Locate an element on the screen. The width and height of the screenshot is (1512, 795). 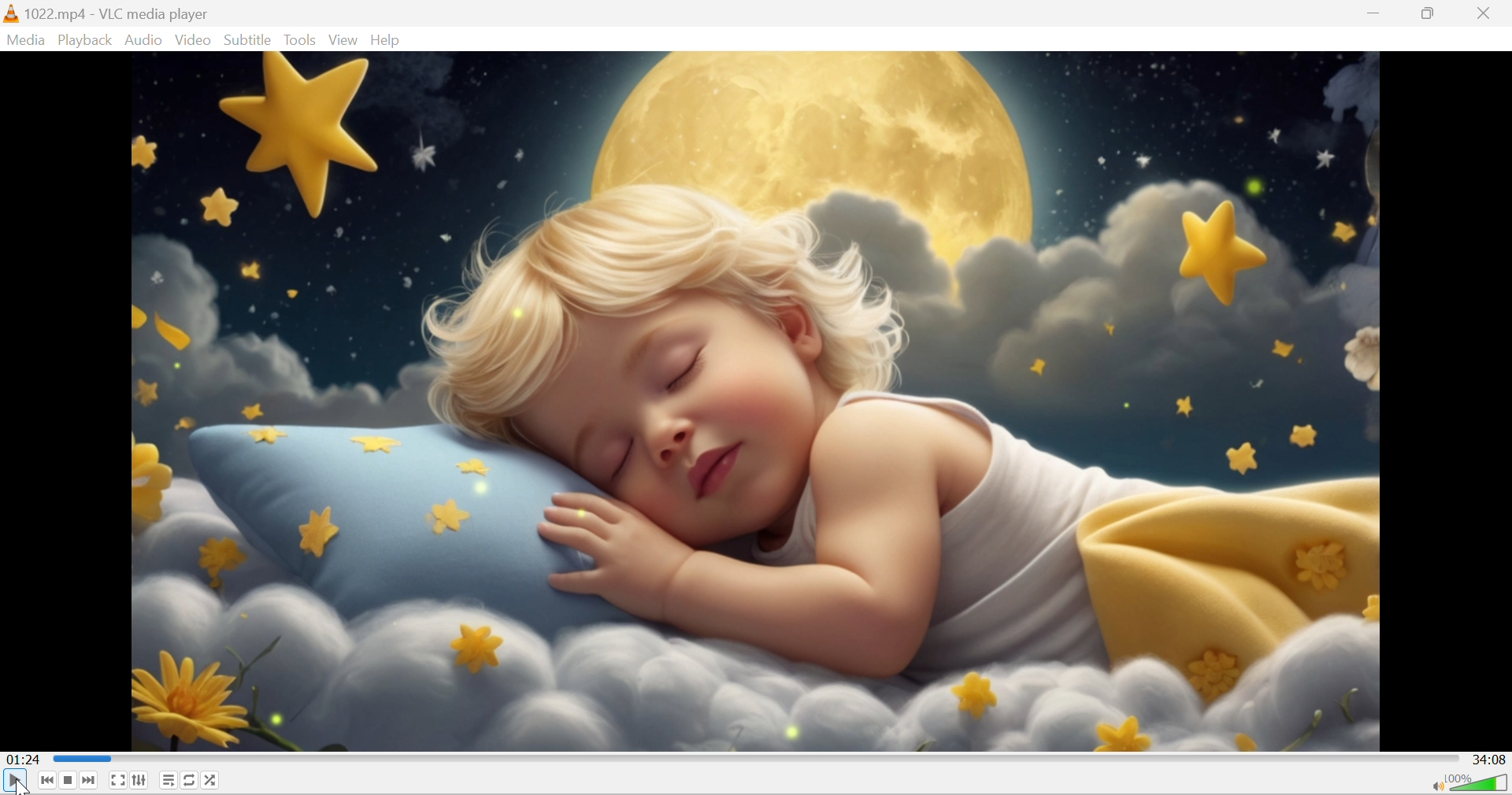
Subtitle is located at coordinates (248, 41).